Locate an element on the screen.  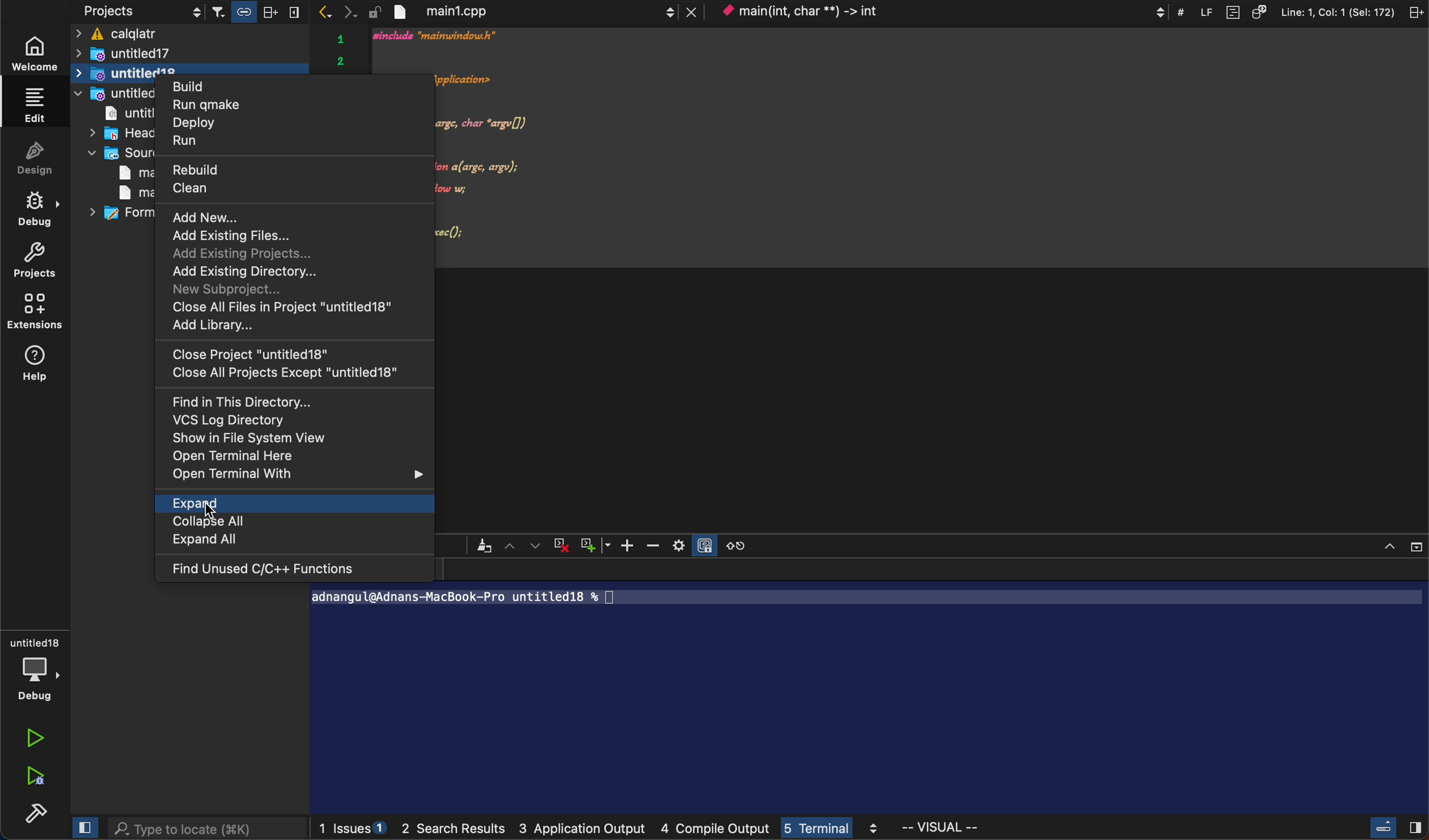
zoom in is located at coordinates (625, 544).